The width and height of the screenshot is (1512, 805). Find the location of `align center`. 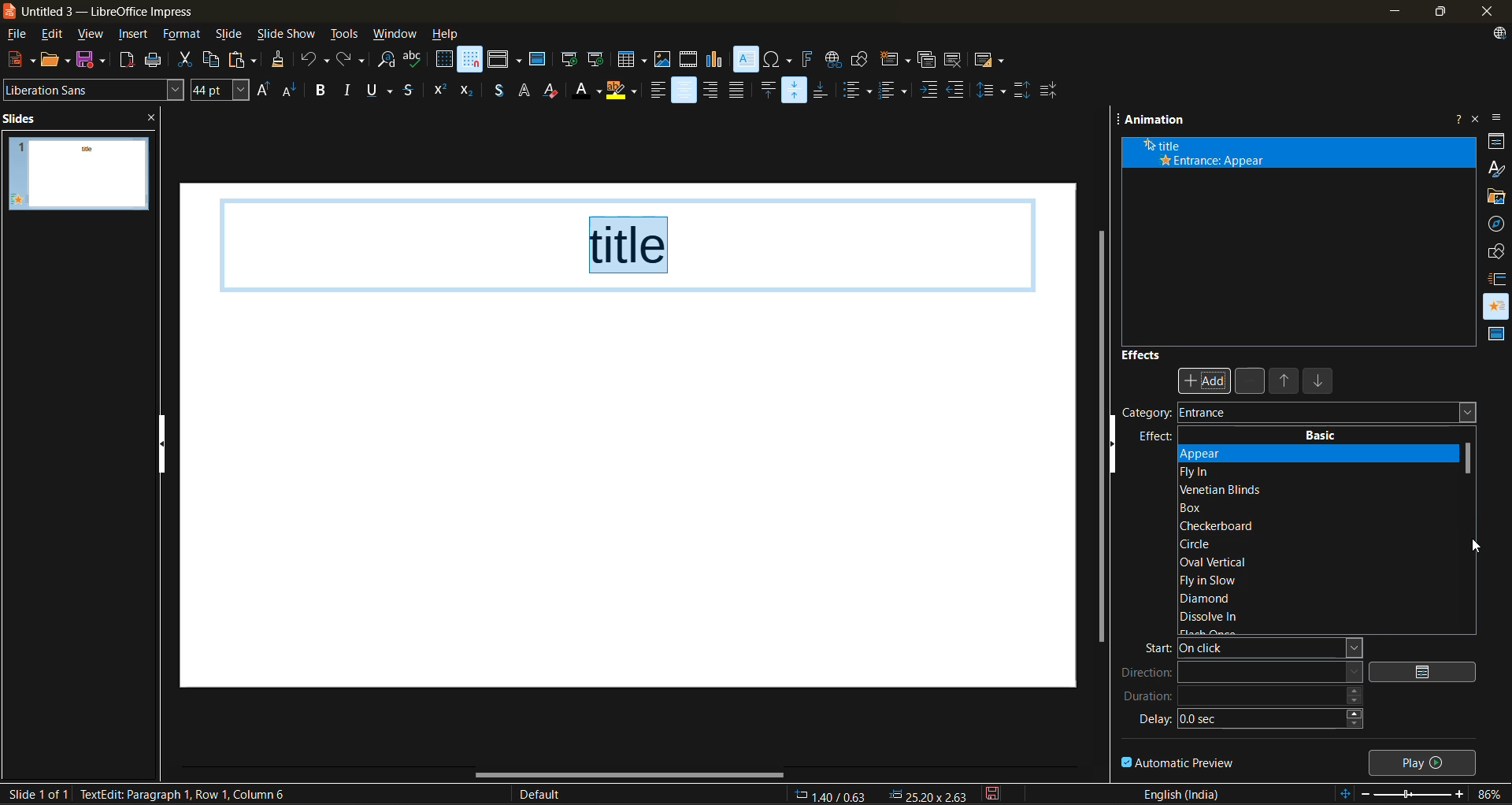

align center is located at coordinates (684, 91).